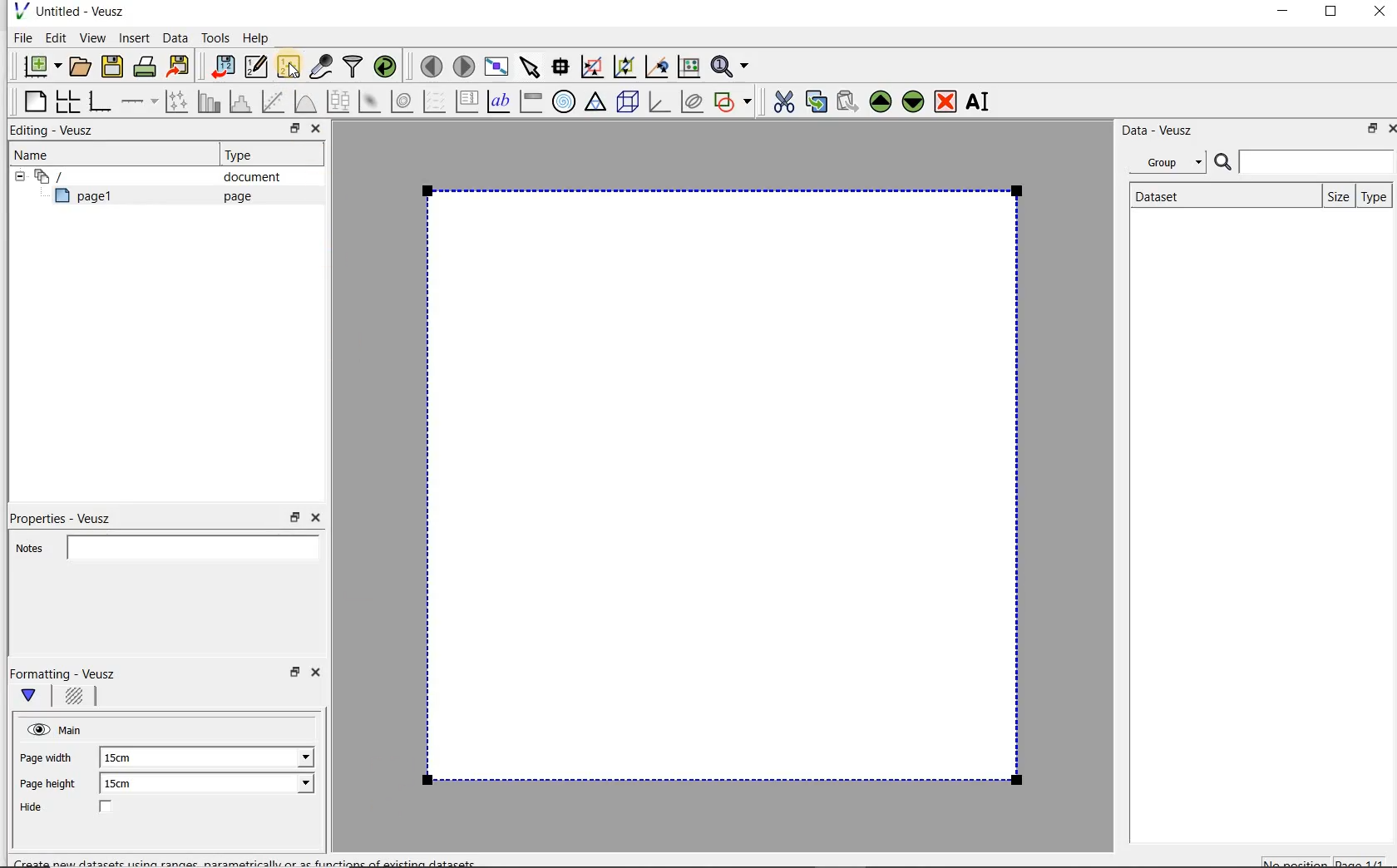 This screenshot has height=868, width=1397. I want to click on cut the selected widget, so click(781, 100).